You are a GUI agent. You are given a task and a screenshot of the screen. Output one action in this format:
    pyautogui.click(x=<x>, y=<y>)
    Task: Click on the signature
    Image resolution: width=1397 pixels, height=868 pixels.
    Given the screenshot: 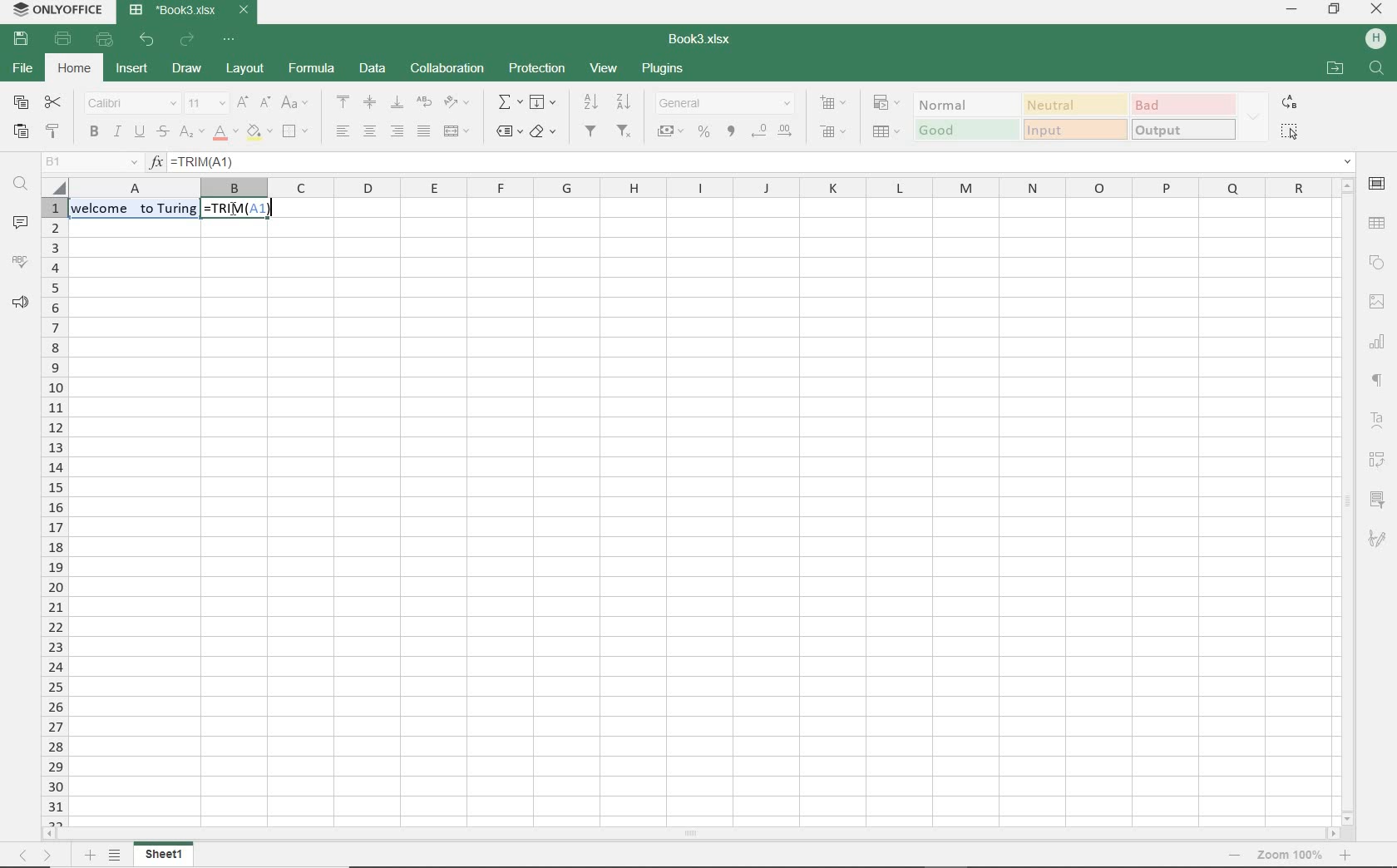 What is the action you would take?
    pyautogui.click(x=1379, y=541)
    